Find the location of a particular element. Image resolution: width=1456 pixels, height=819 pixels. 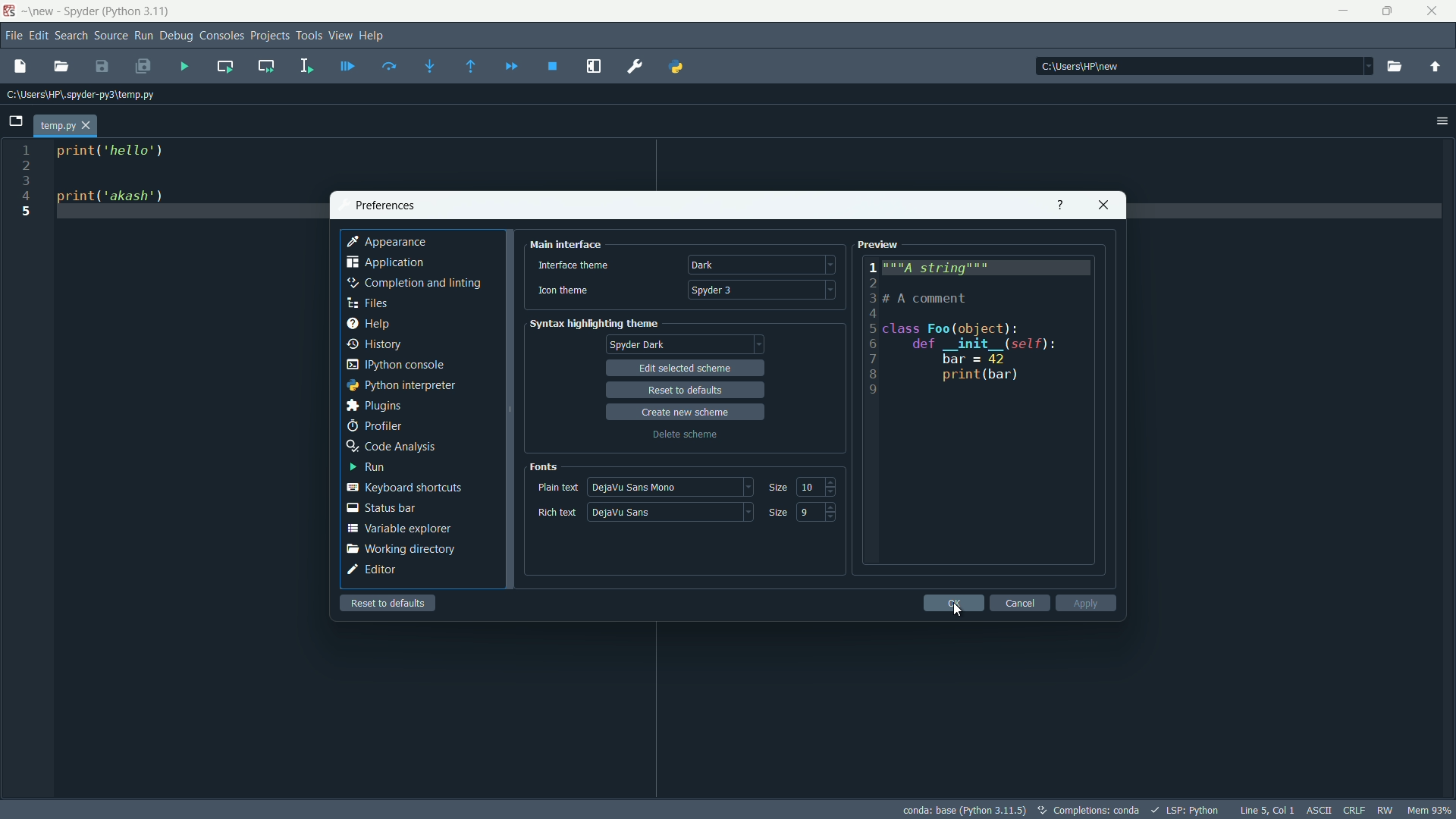

run current line is located at coordinates (390, 67).